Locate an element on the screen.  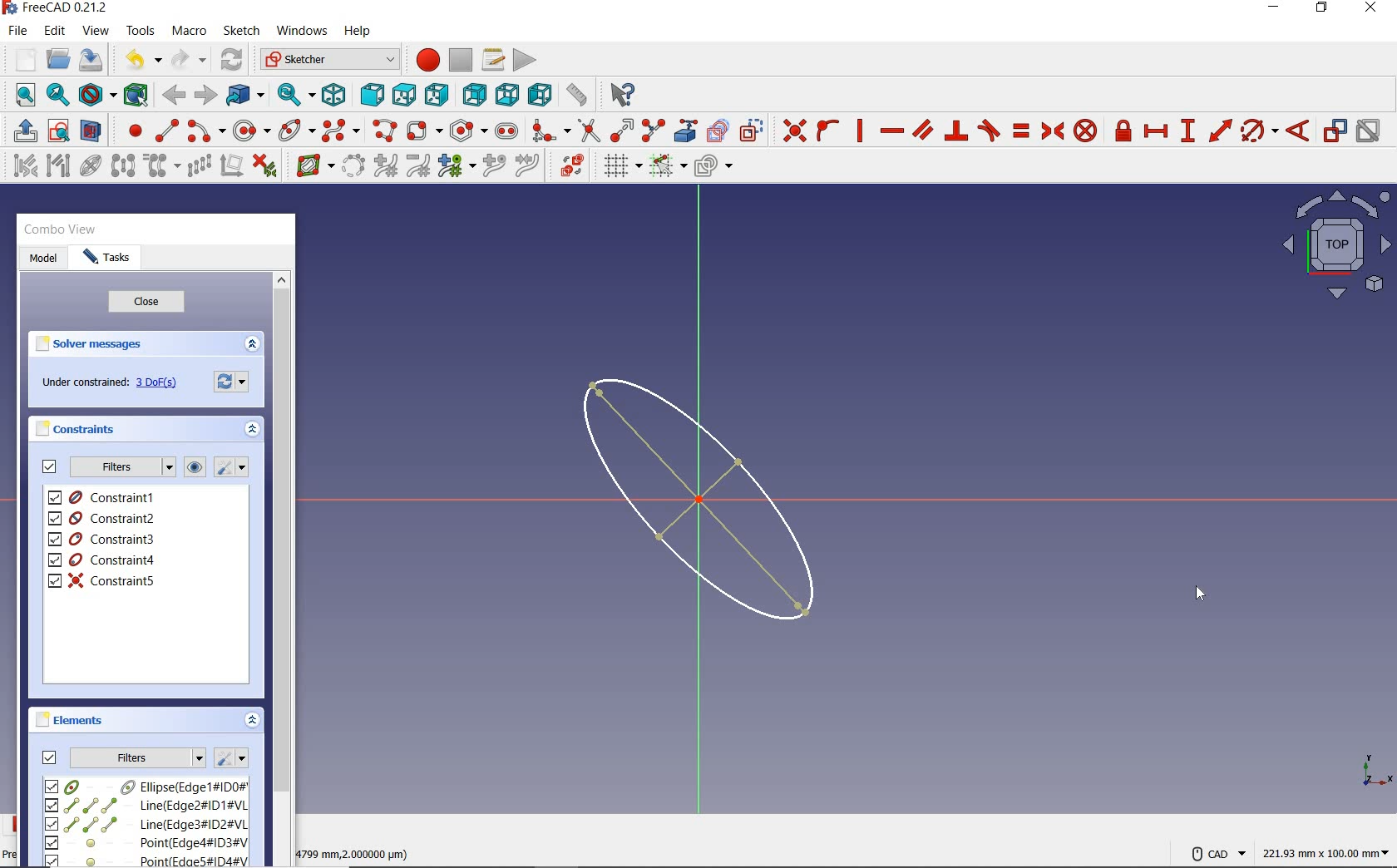
settings is located at coordinates (230, 758).